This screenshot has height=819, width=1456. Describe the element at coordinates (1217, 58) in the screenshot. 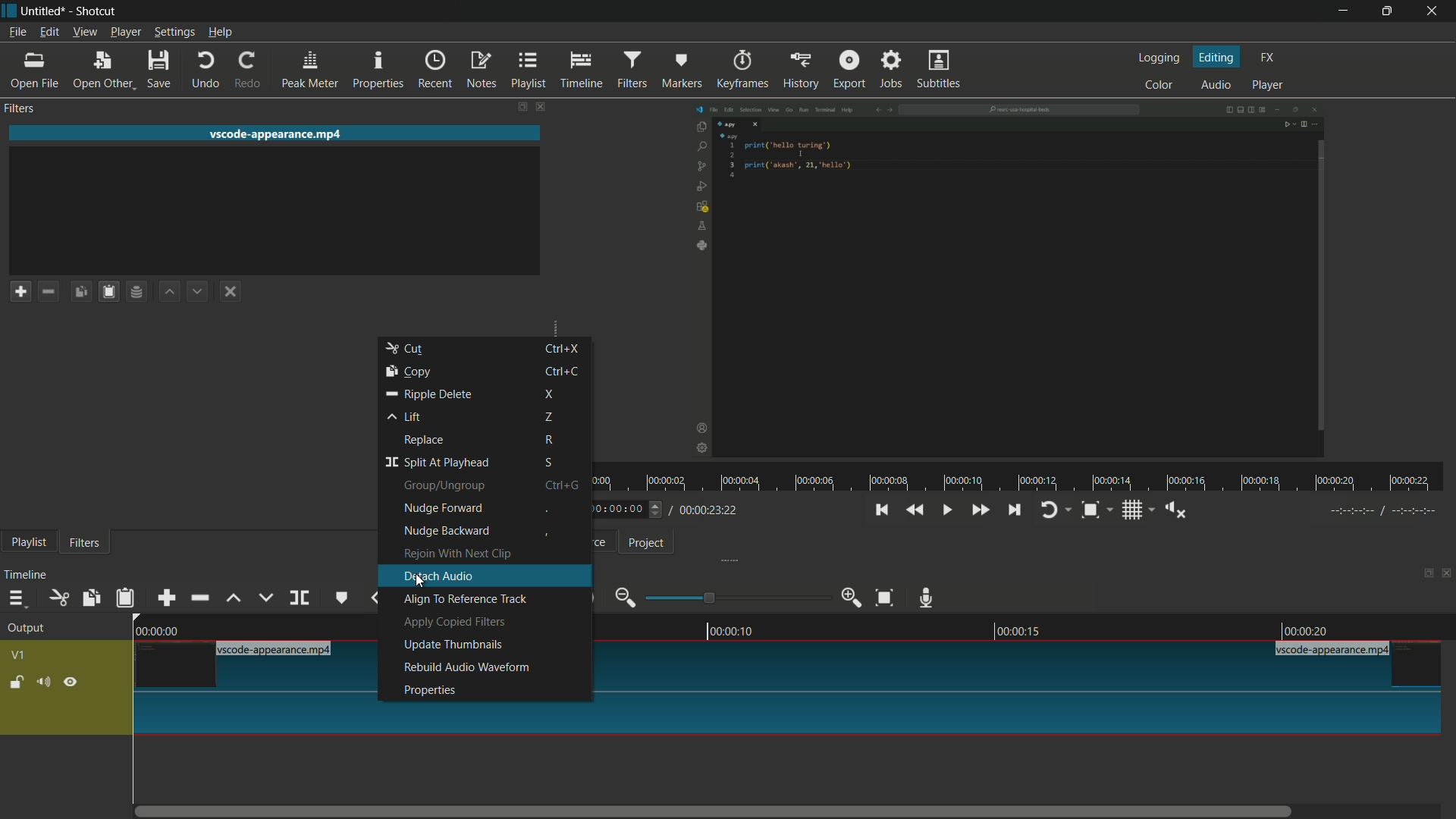

I see `editing` at that location.